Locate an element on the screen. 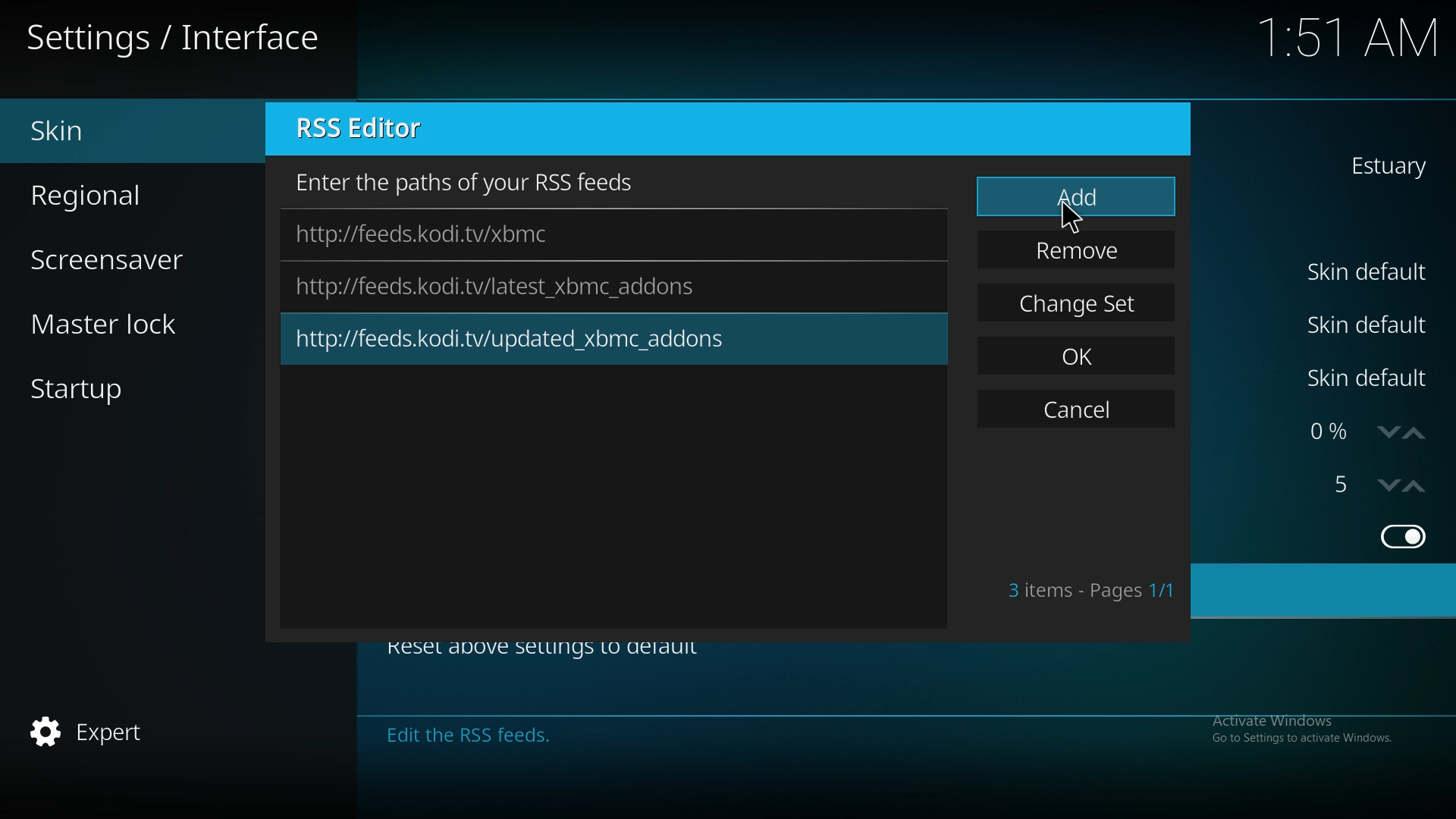 This screenshot has height=819, width=1456. Expert is located at coordinates (90, 733).